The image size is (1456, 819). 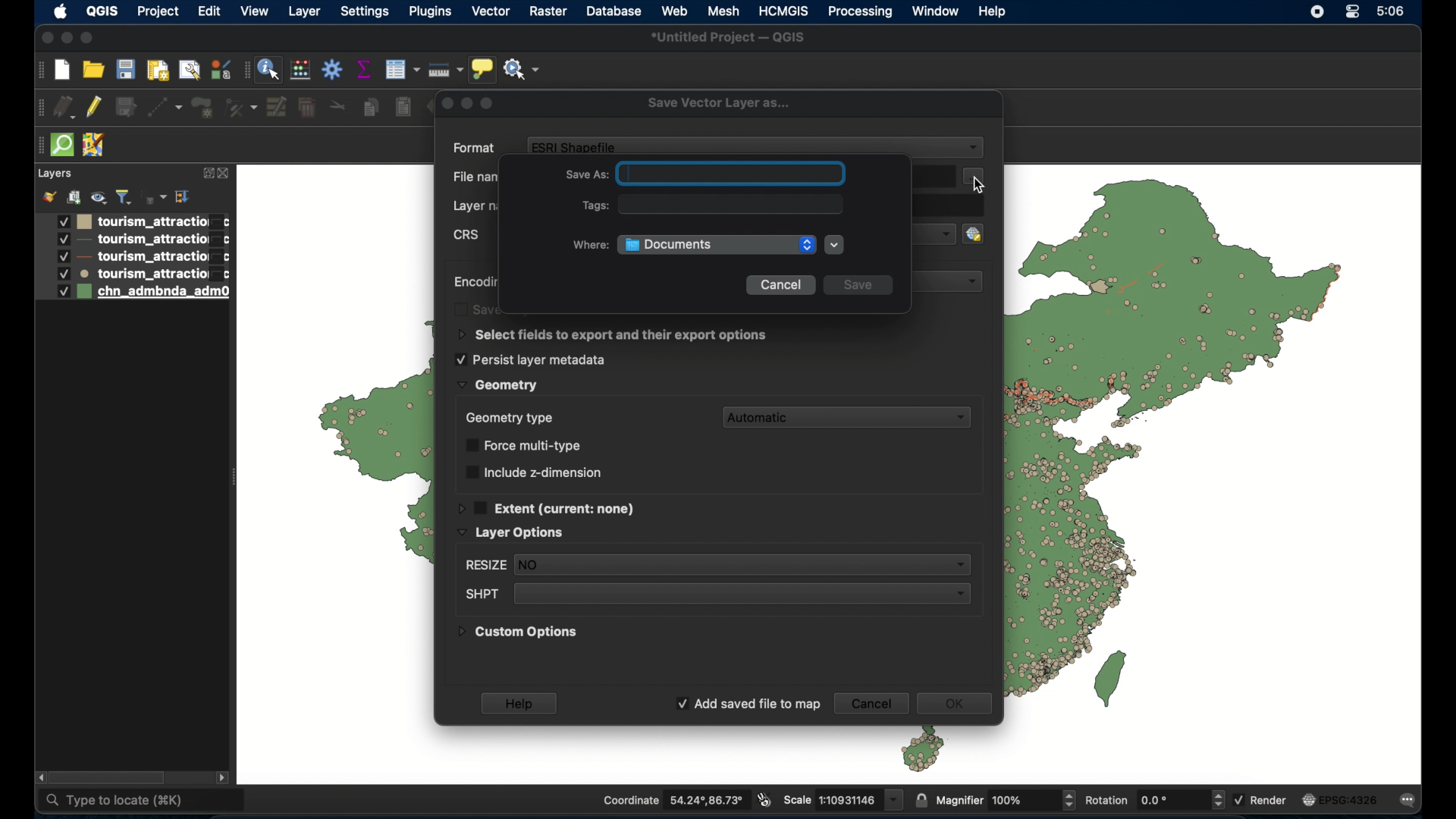 I want to click on minimize, so click(x=67, y=39).